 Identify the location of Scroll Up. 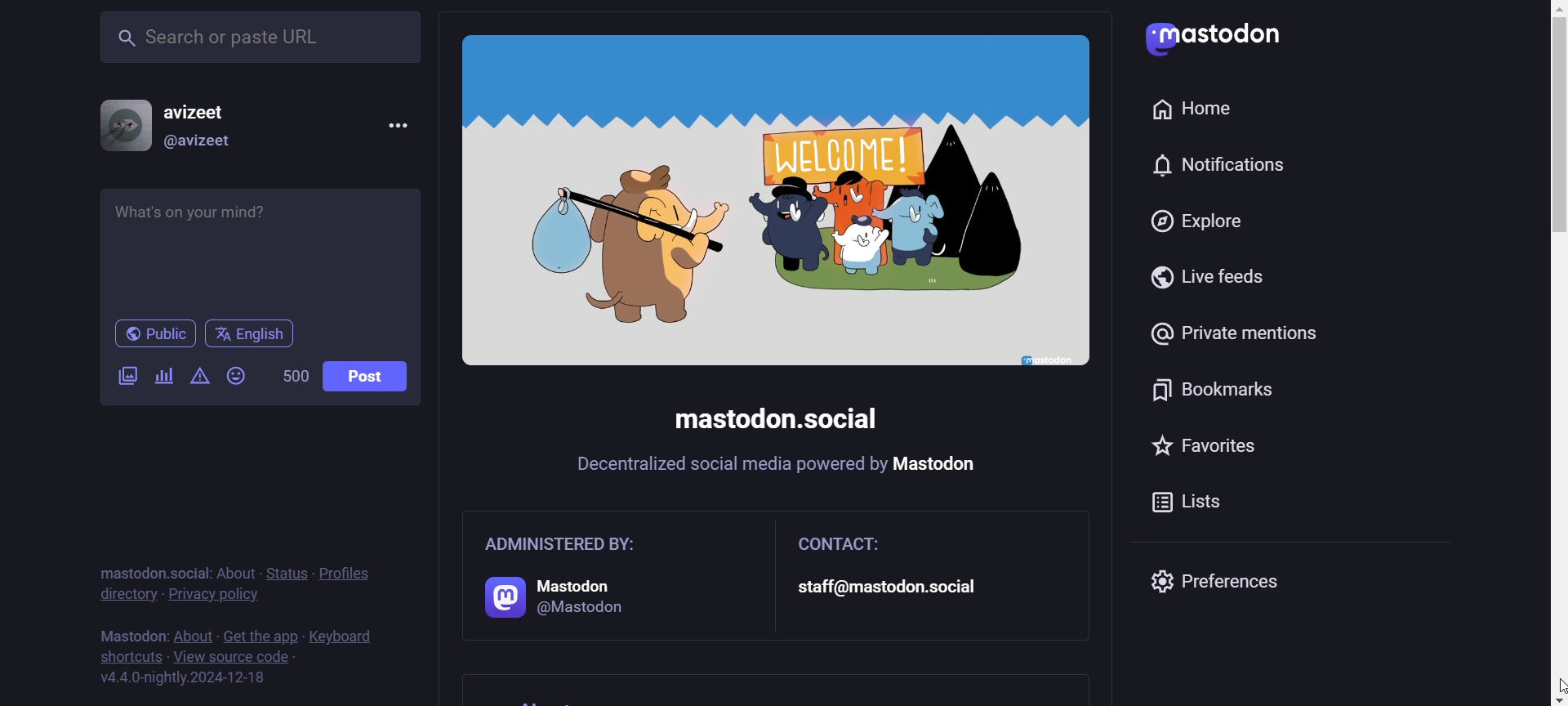
(1549, 10).